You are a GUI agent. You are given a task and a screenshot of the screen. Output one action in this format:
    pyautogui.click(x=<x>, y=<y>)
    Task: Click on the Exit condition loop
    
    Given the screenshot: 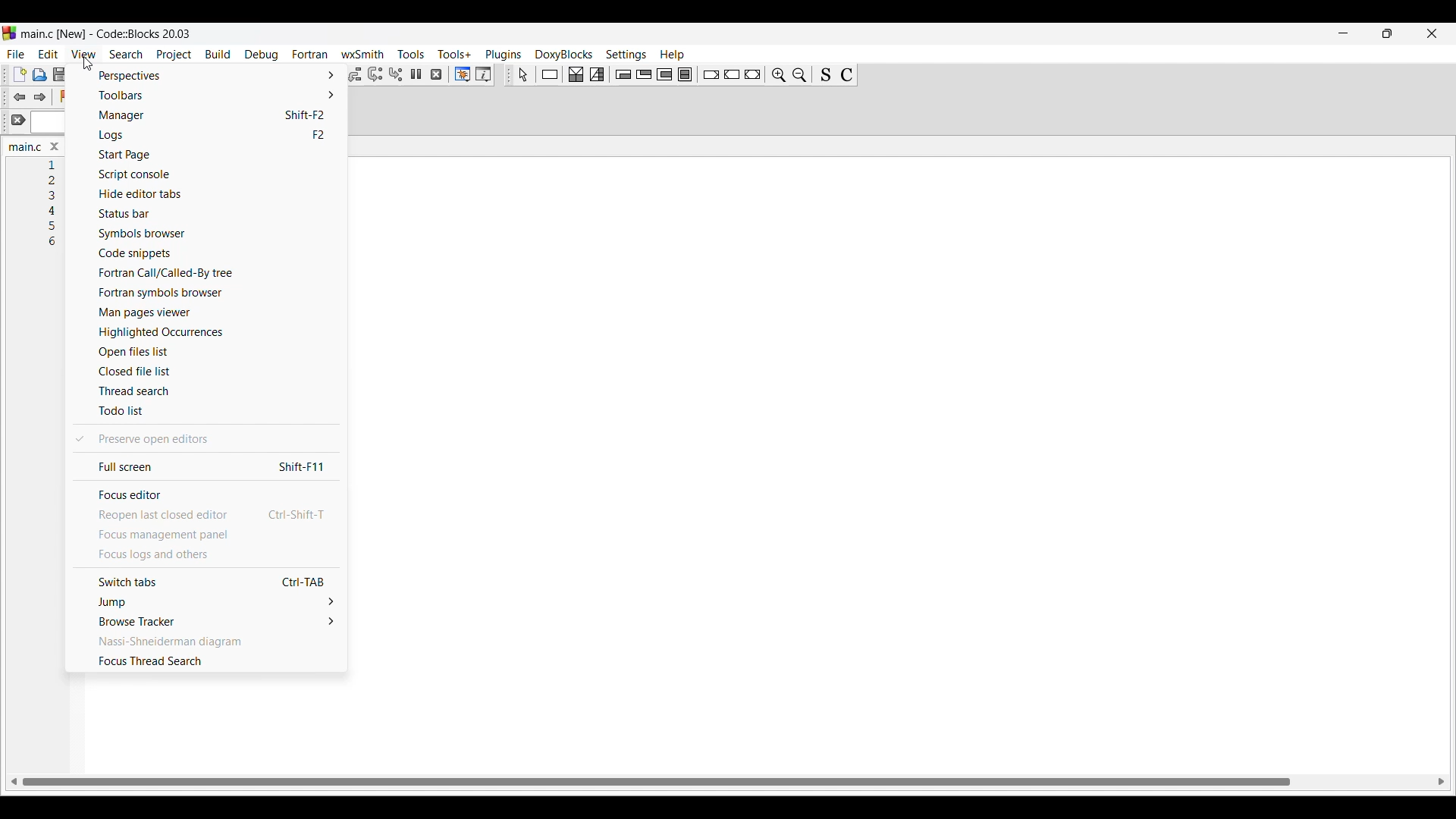 What is the action you would take?
    pyautogui.click(x=645, y=74)
    